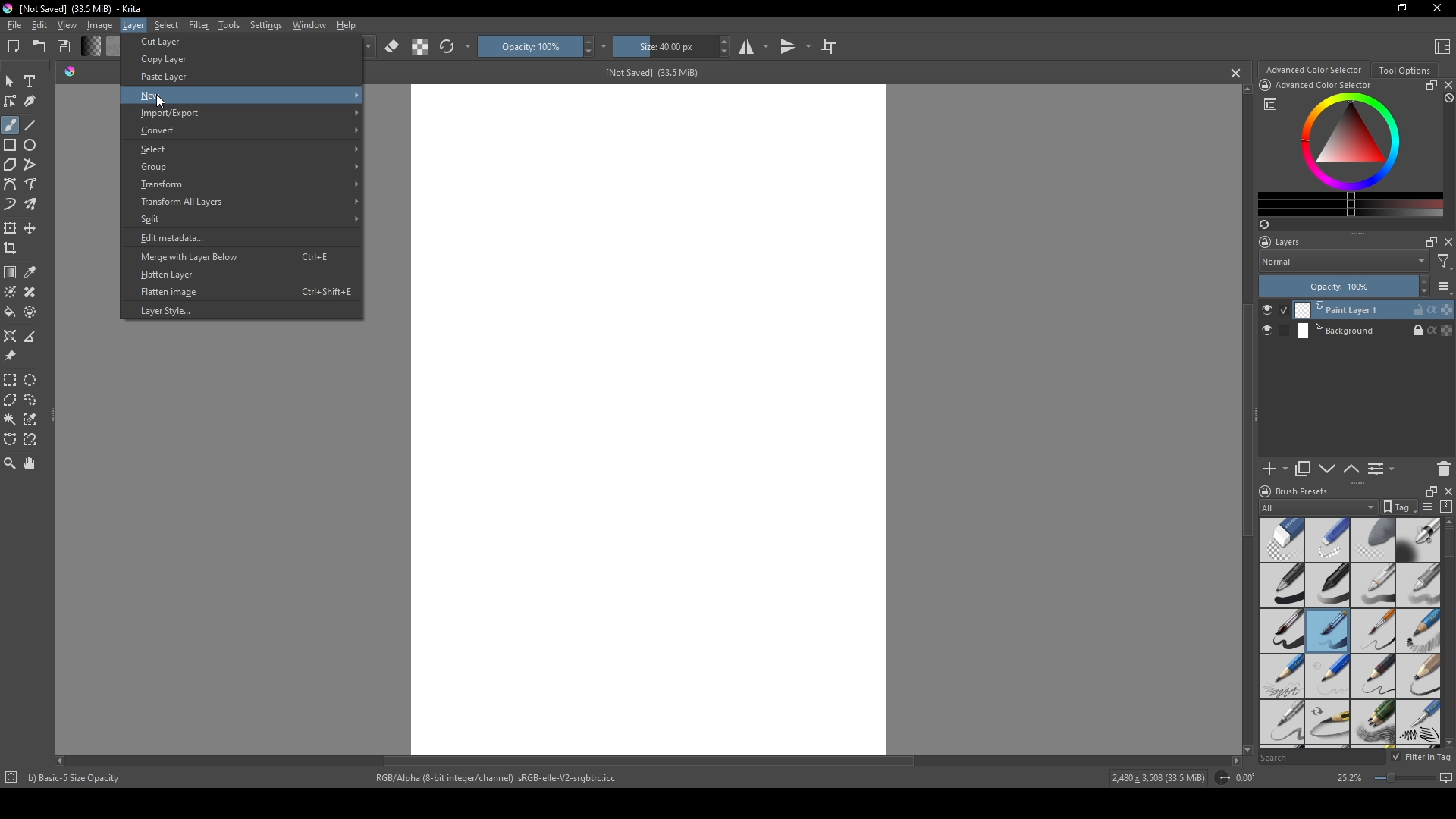 Image resolution: width=1456 pixels, height=819 pixels. What do you see at coordinates (1384, 469) in the screenshot?
I see `List` at bounding box center [1384, 469].